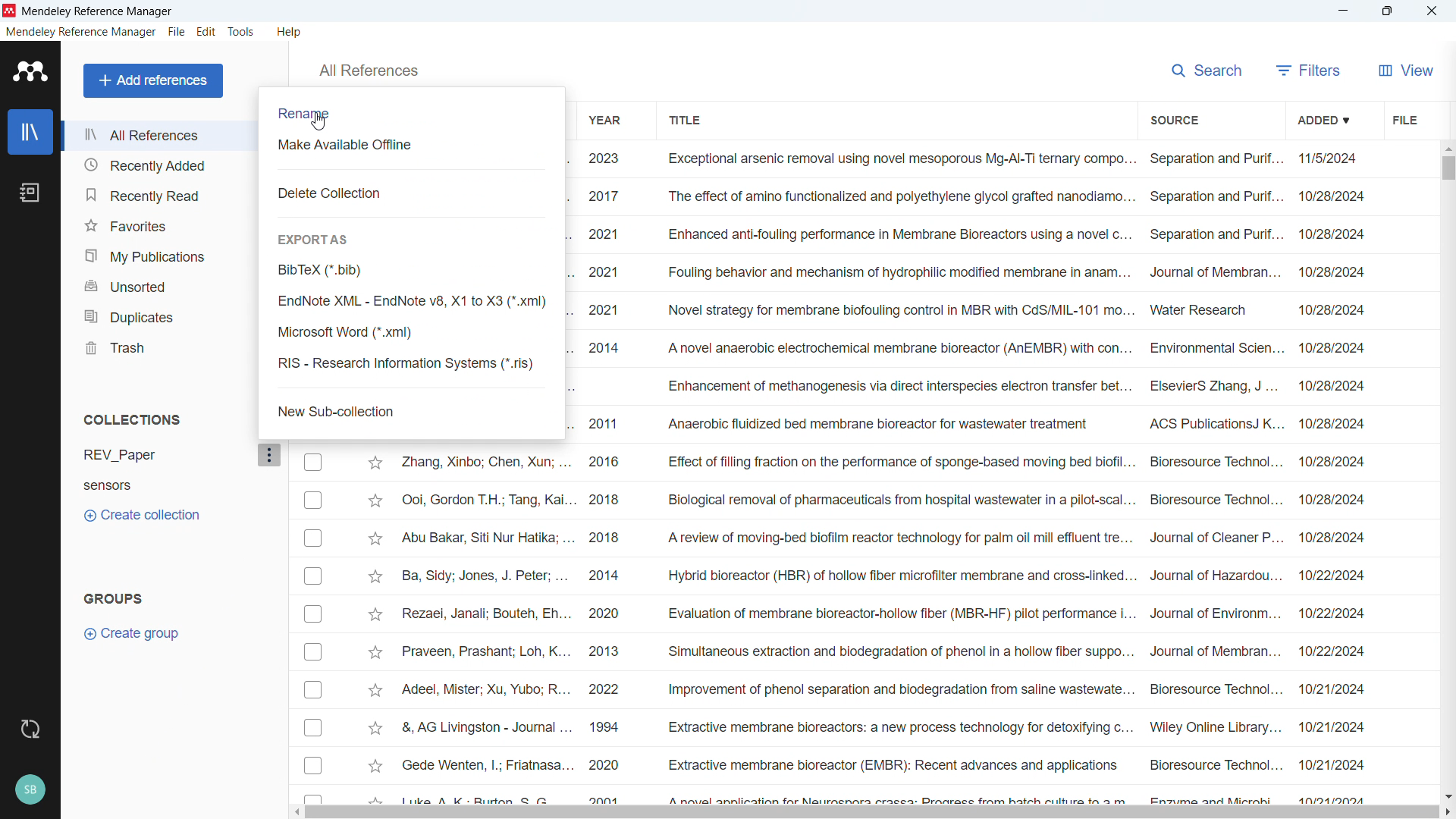  Describe the element at coordinates (368, 71) in the screenshot. I see `All references ` at that location.